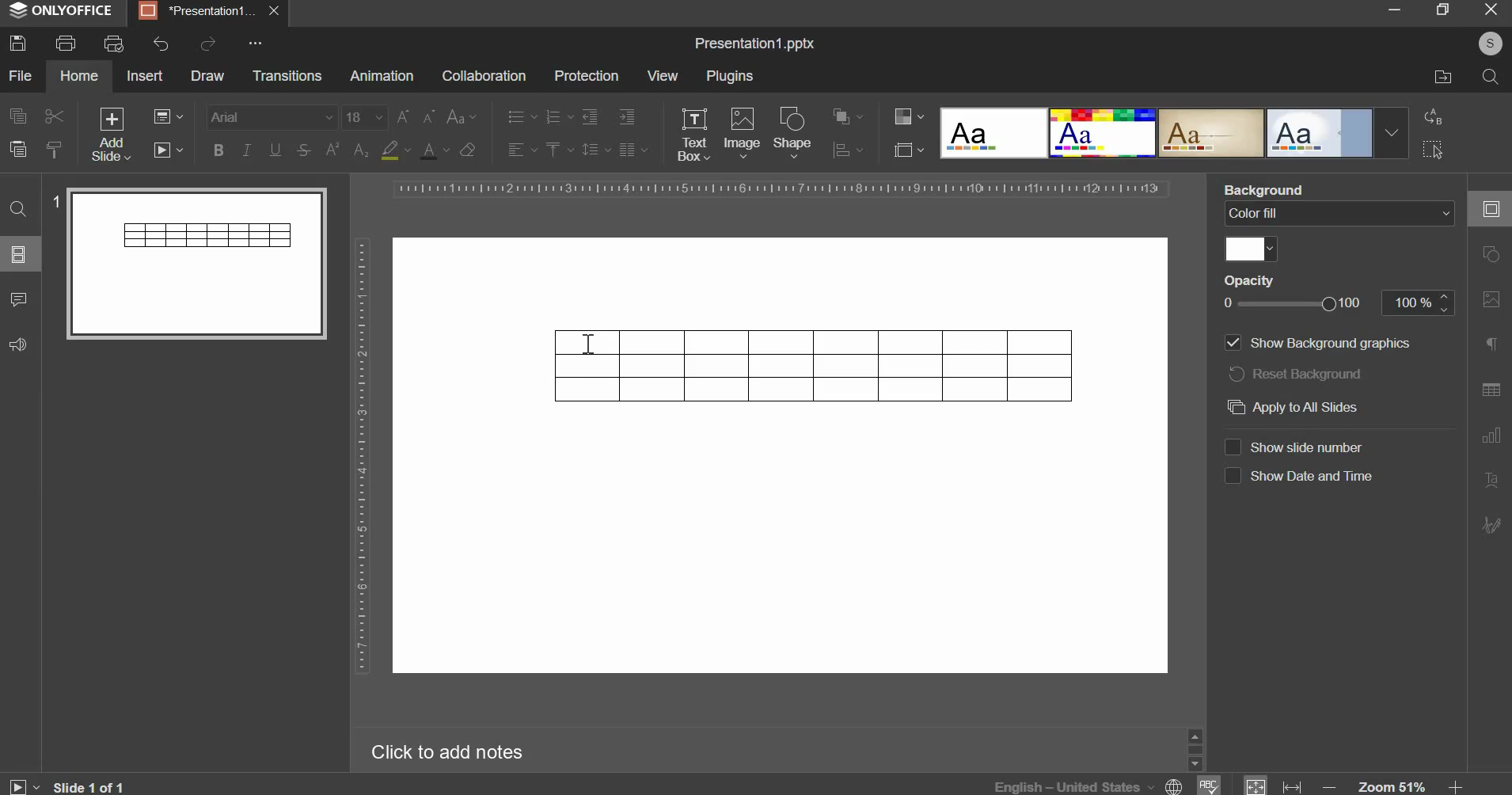 Image resolution: width=1512 pixels, height=795 pixels. Describe the element at coordinates (381, 75) in the screenshot. I see `animation` at that location.